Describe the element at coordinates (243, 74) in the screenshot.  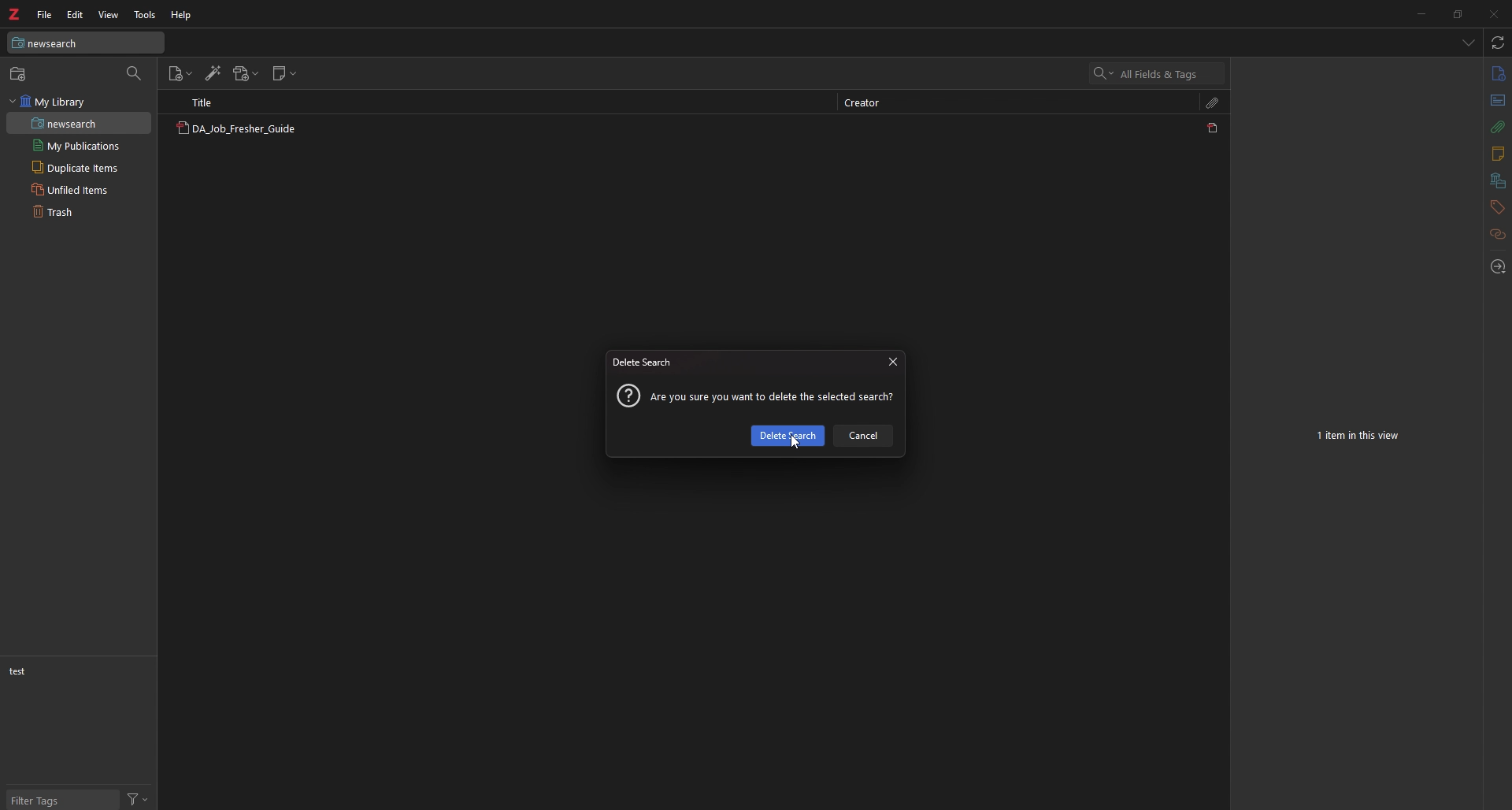
I see `Add attachments` at that location.